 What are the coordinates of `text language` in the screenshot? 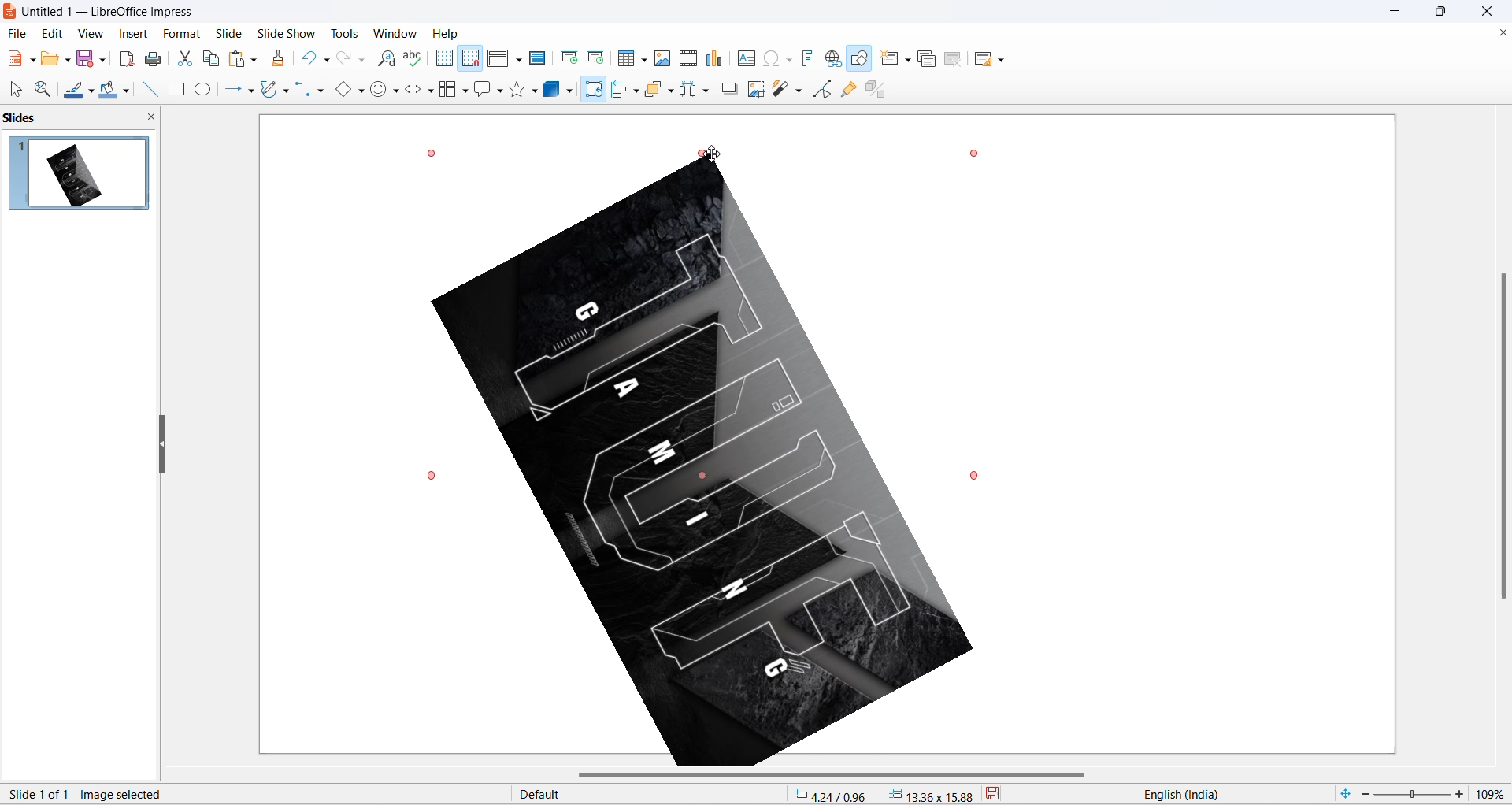 It's located at (1220, 794).